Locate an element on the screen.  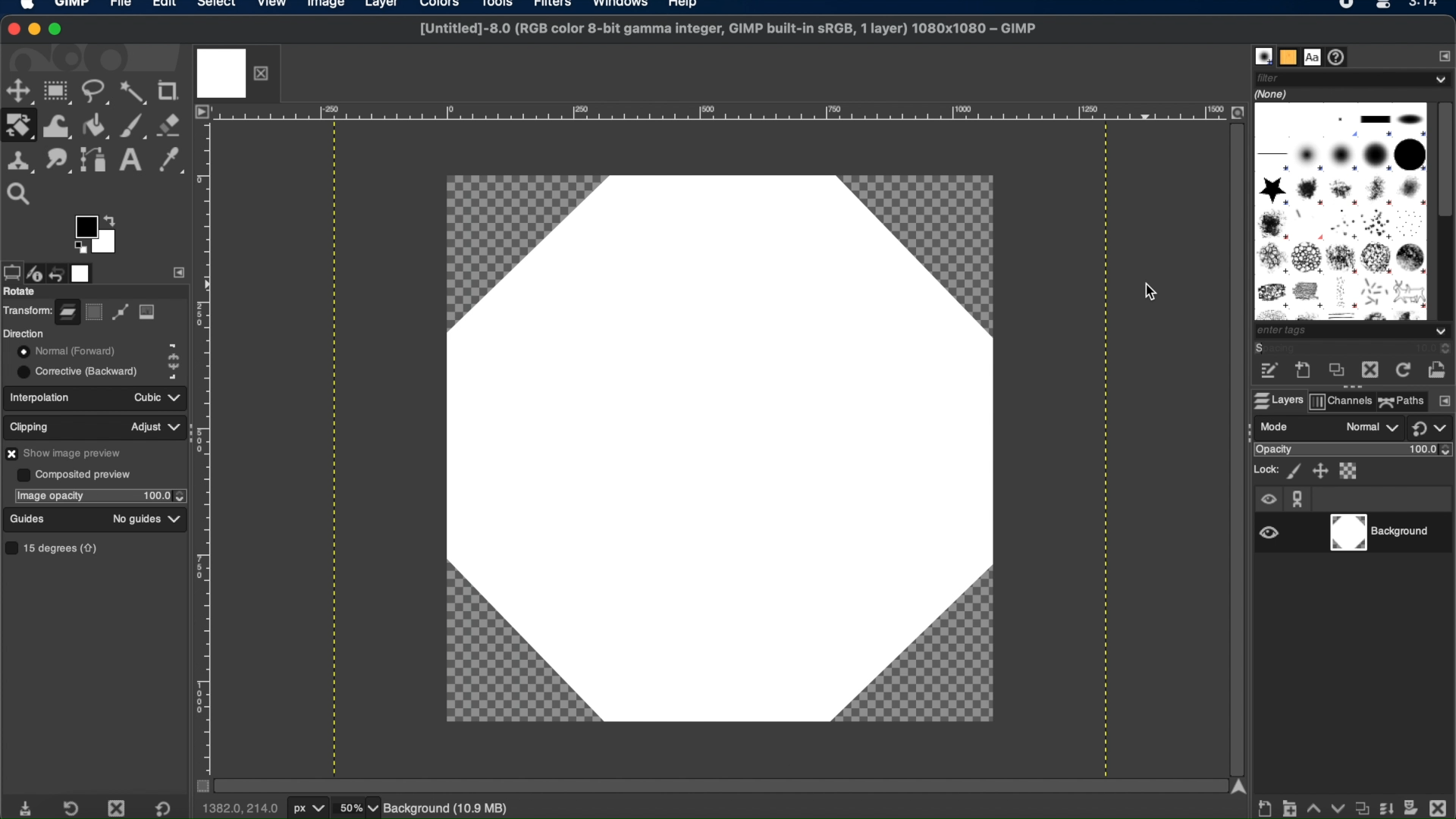
warp transform is located at coordinates (56, 124).